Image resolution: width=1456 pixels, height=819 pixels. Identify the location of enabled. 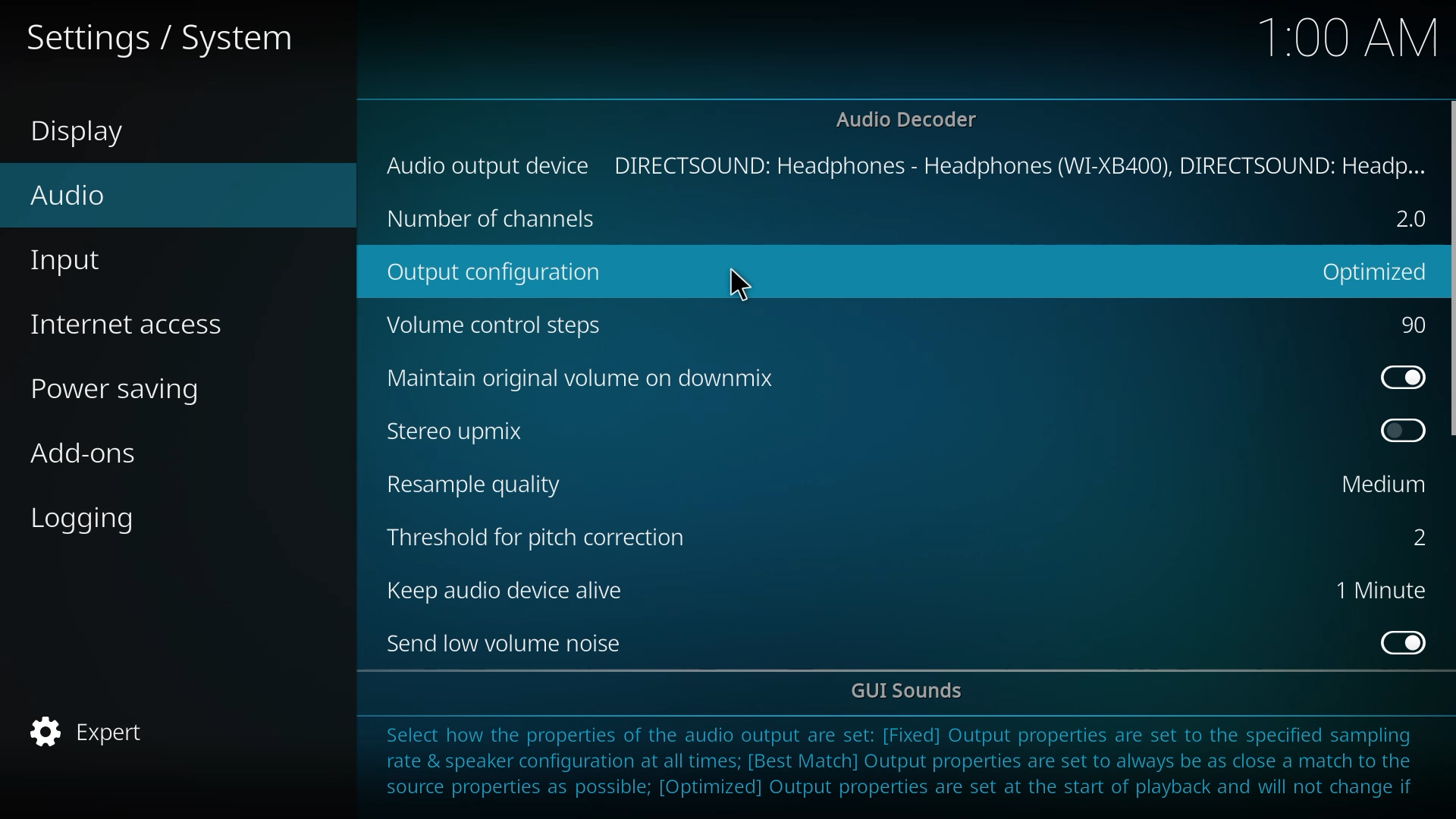
(1399, 375).